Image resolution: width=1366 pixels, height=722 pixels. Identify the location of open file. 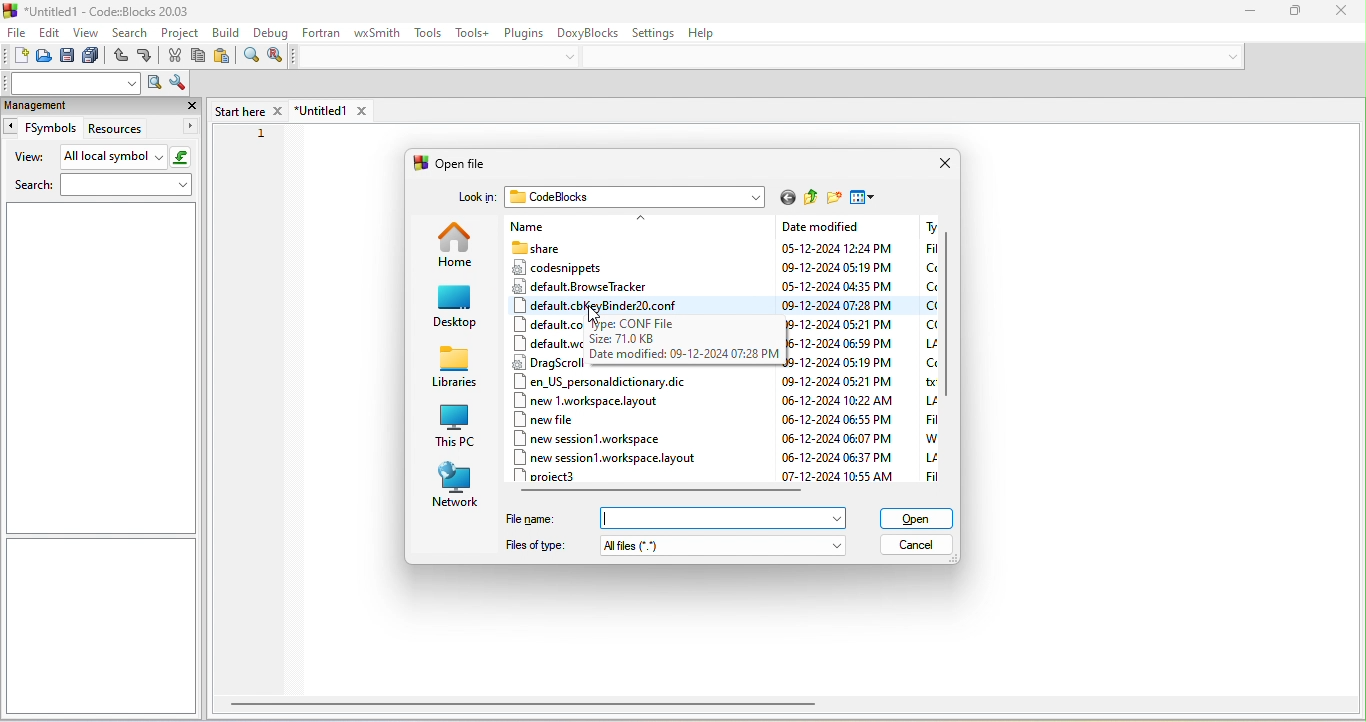
(449, 161).